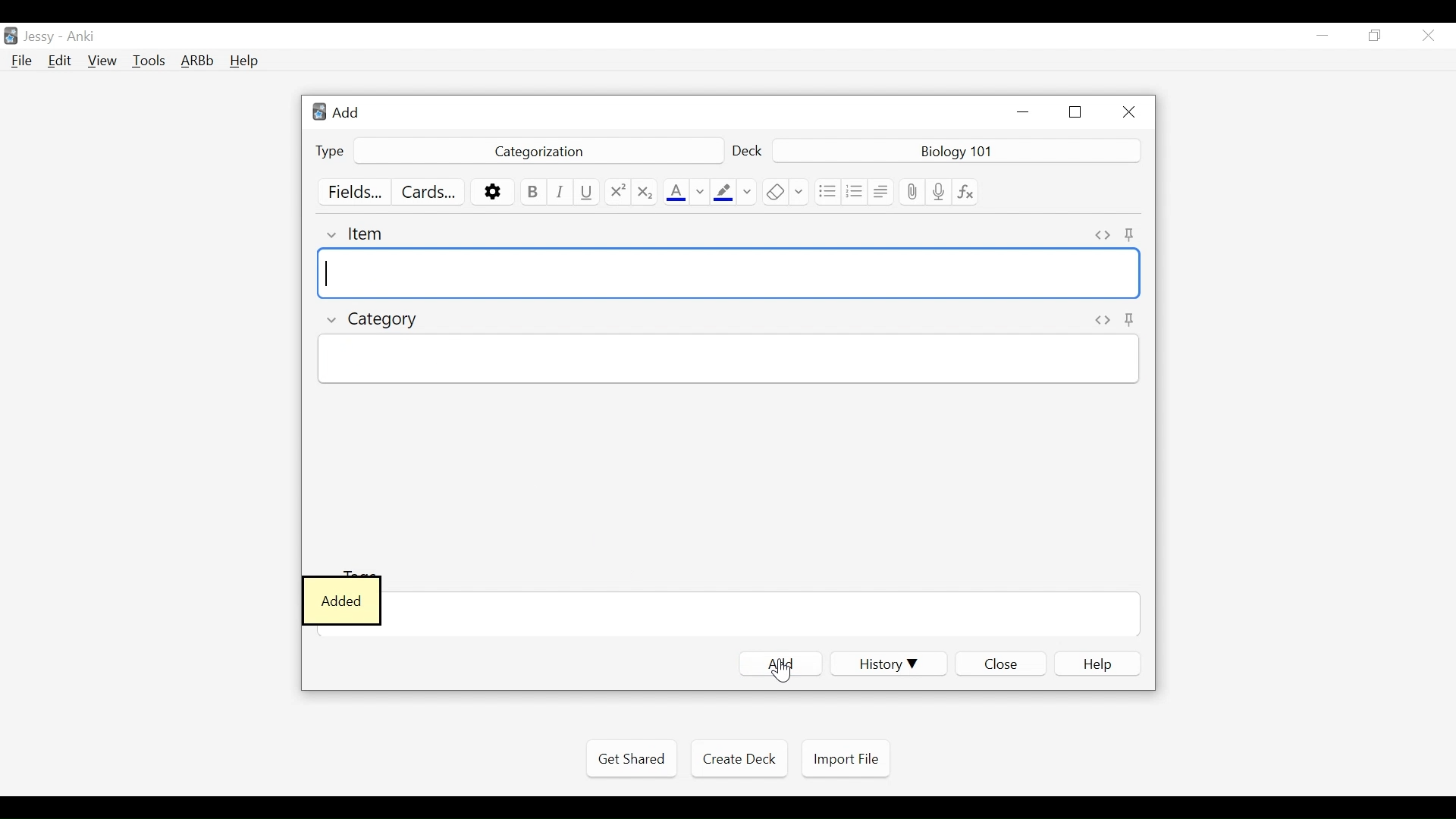 Image resolution: width=1456 pixels, height=819 pixels. Describe the element at coordinates (320, 112) in the screenshot. I see `Anki logo` at that location.